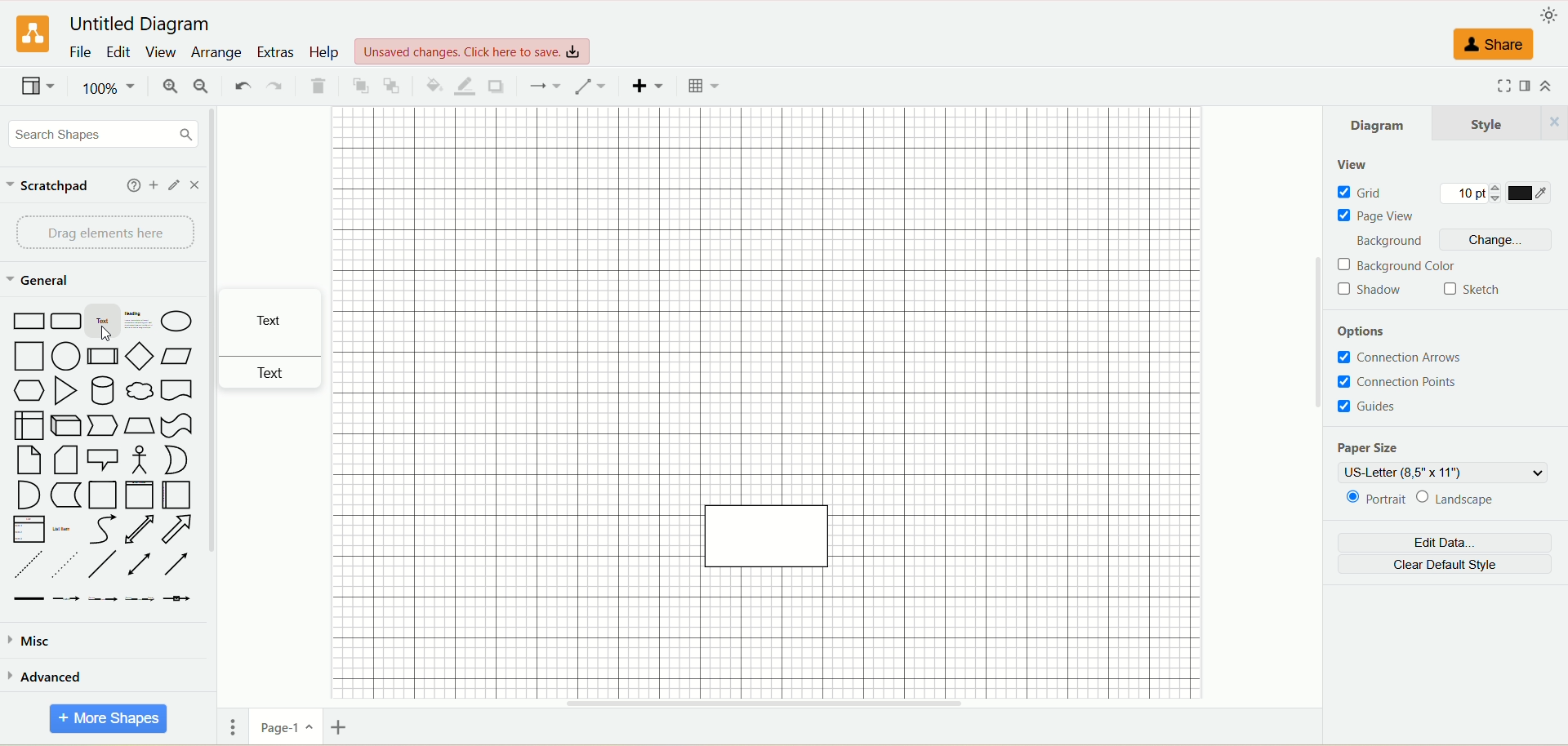 The image size is (1568, 746). Describe the element at coordinates (120, 51) in the screenshot. I see `edit` at that location.